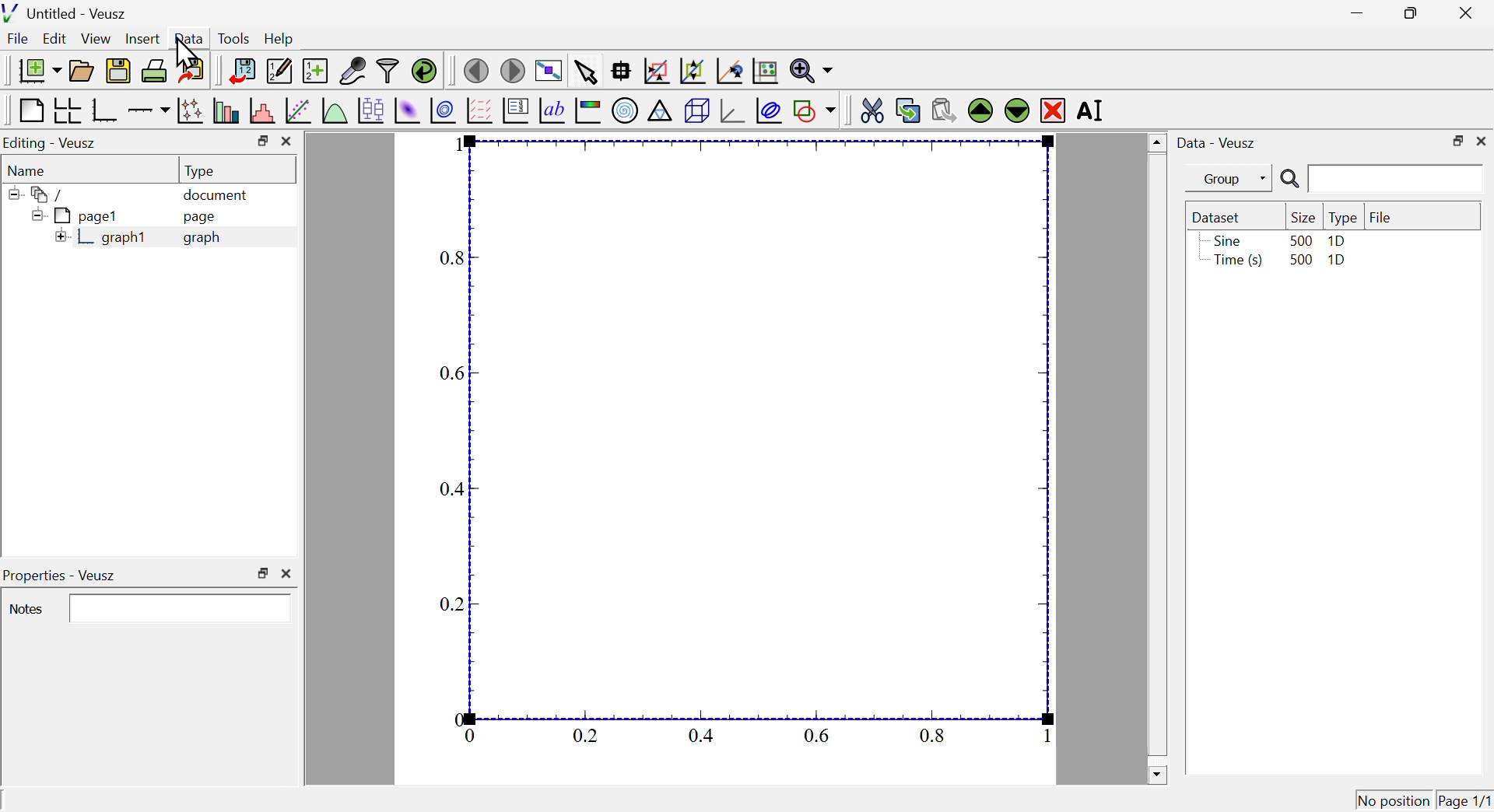  Describe the element at coordinates (192, 72) in the screenshot. I see `export to graphic formats` at that location.